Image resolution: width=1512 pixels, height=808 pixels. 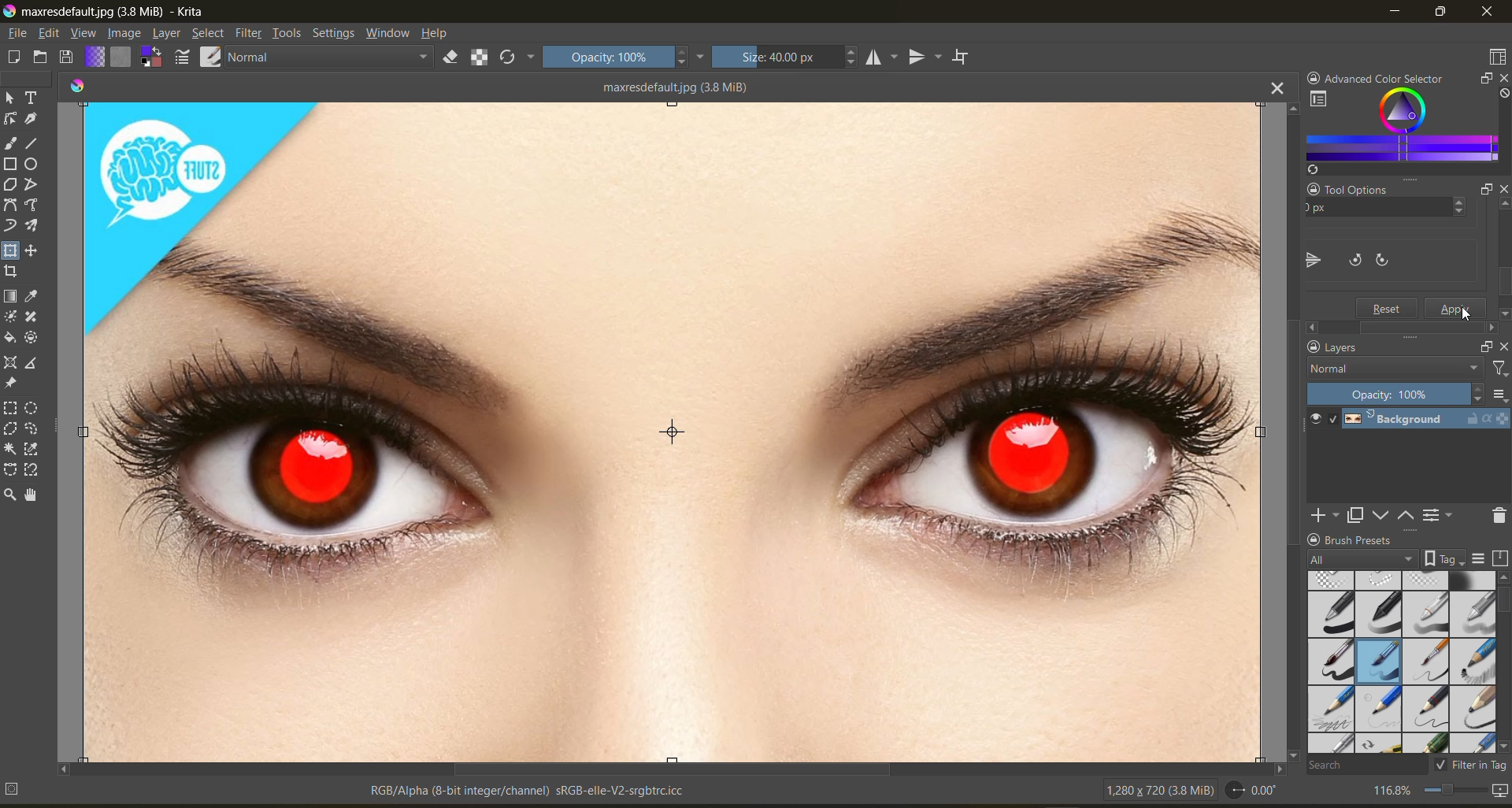 What do you see at coordinates (1440, 514) in the screenshot?
I see `view or change the layer properties` at bounding box center [1440, 514].